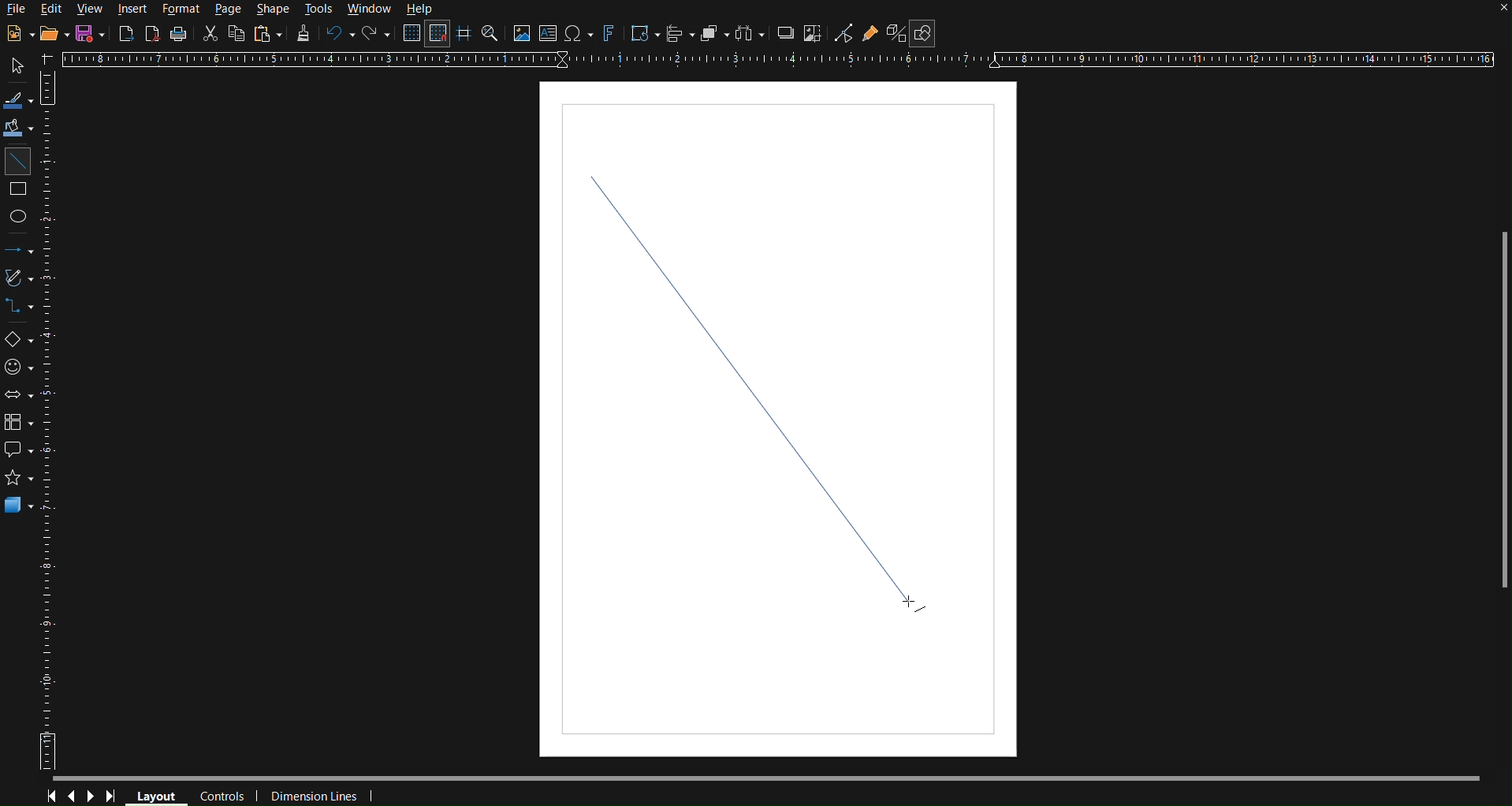 Image resolution: width=1512 pixels, height=806 pixels. What do you see at coordinates (315, 795) in the screenshot?
I see `Dimension Lines` at bounding box center [315, 795].